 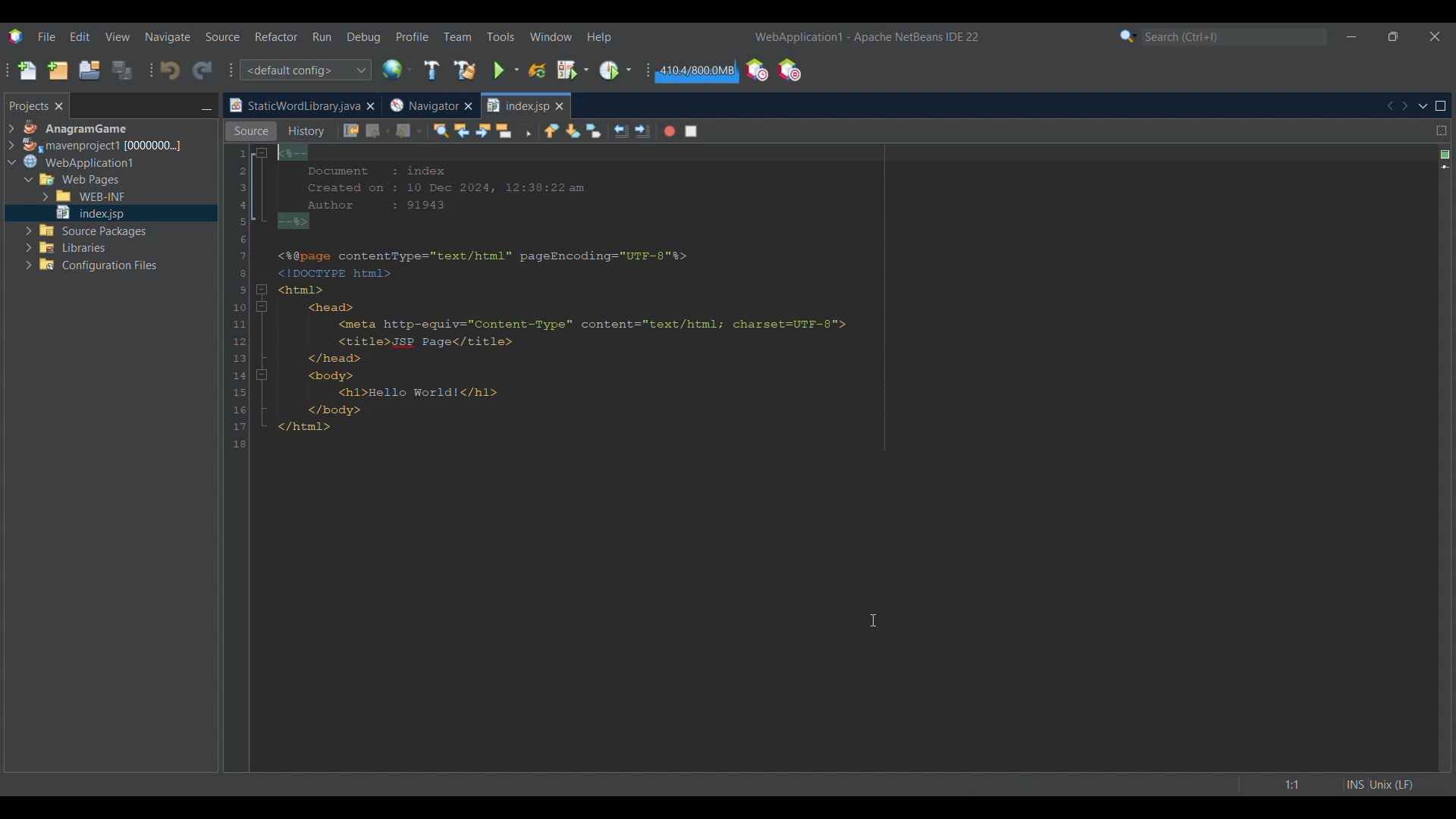 I want to click on Search options, so click(x=1128, y=36).